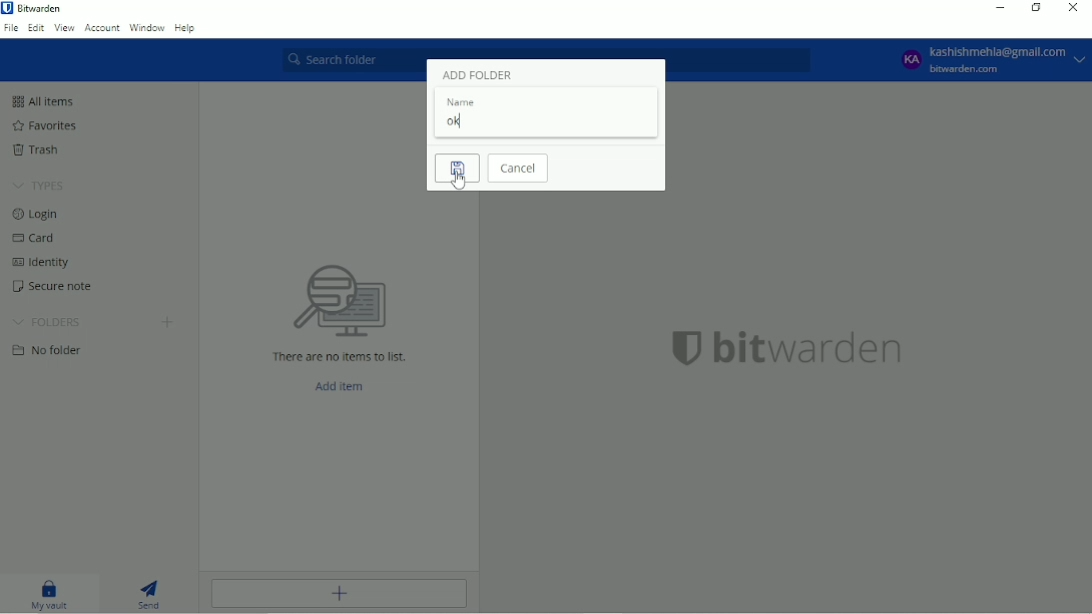 This screenshot has width=1092, height=614. What do you see at coordinates (64, 28) in the screenshot?
I see `View` at bounding box center [64, 28].